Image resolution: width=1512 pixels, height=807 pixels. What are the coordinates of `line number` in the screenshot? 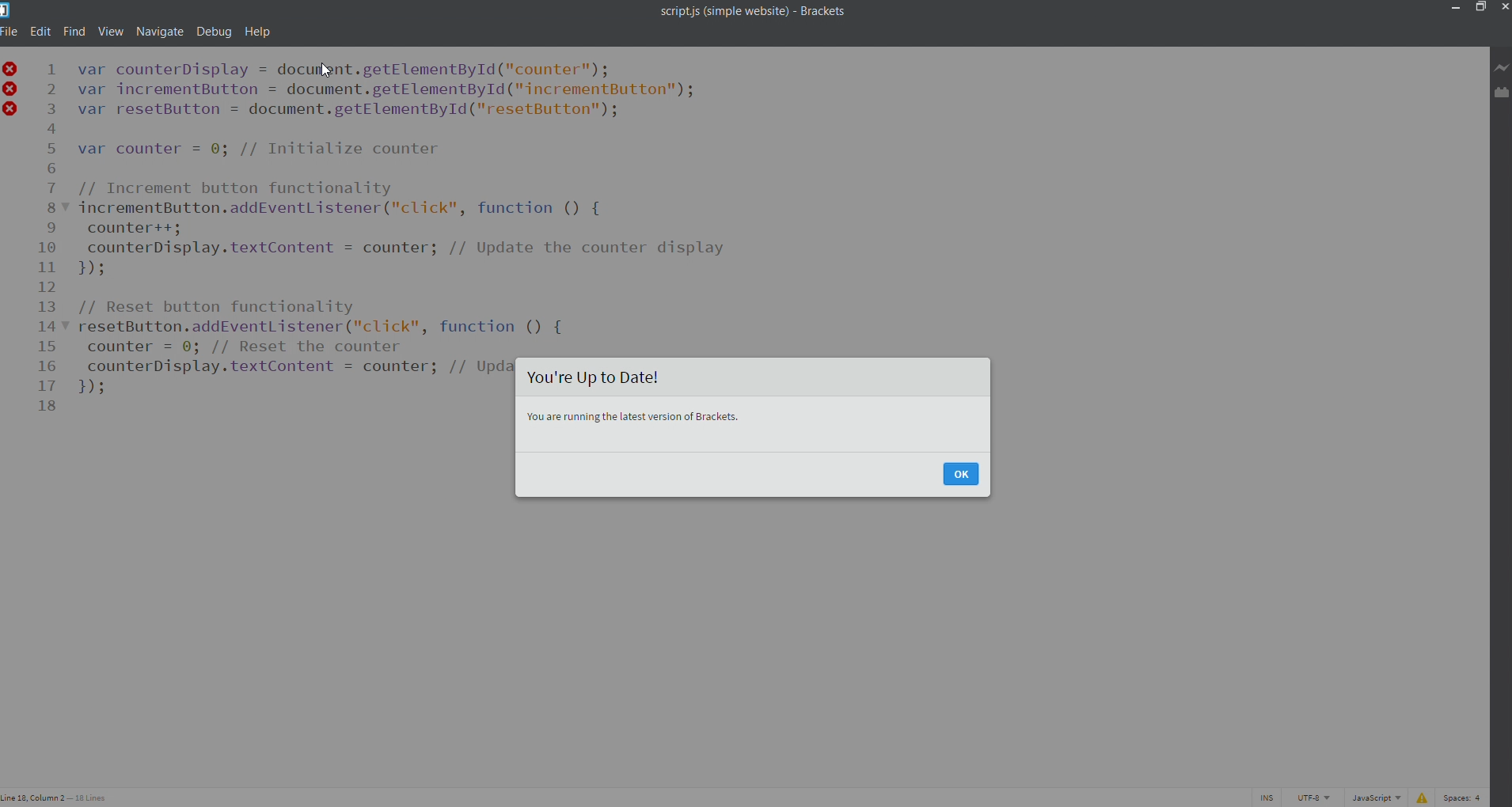 It's located at (46, 247).